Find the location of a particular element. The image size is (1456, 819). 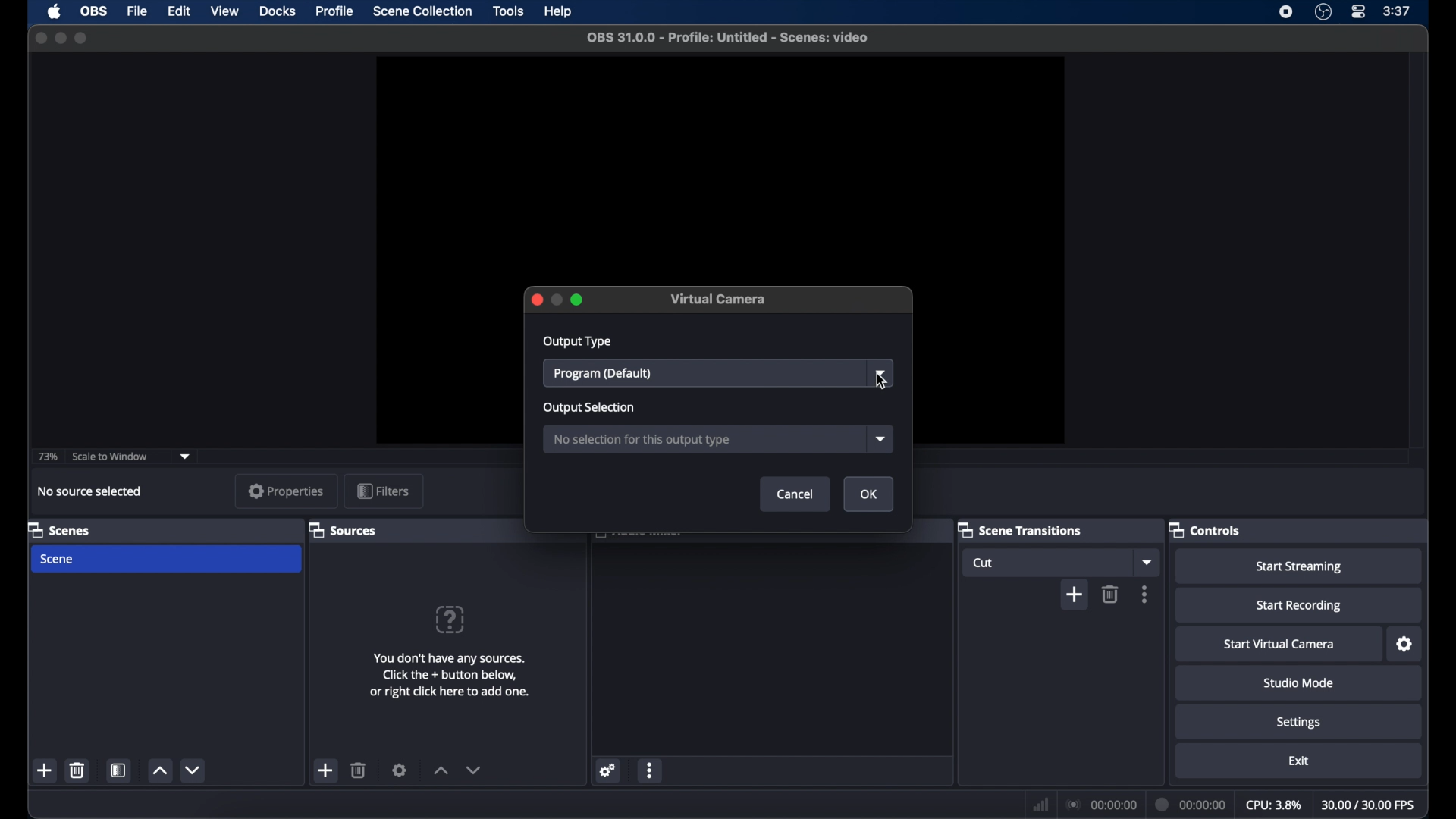

maximize is located at coordinates (577, 300).